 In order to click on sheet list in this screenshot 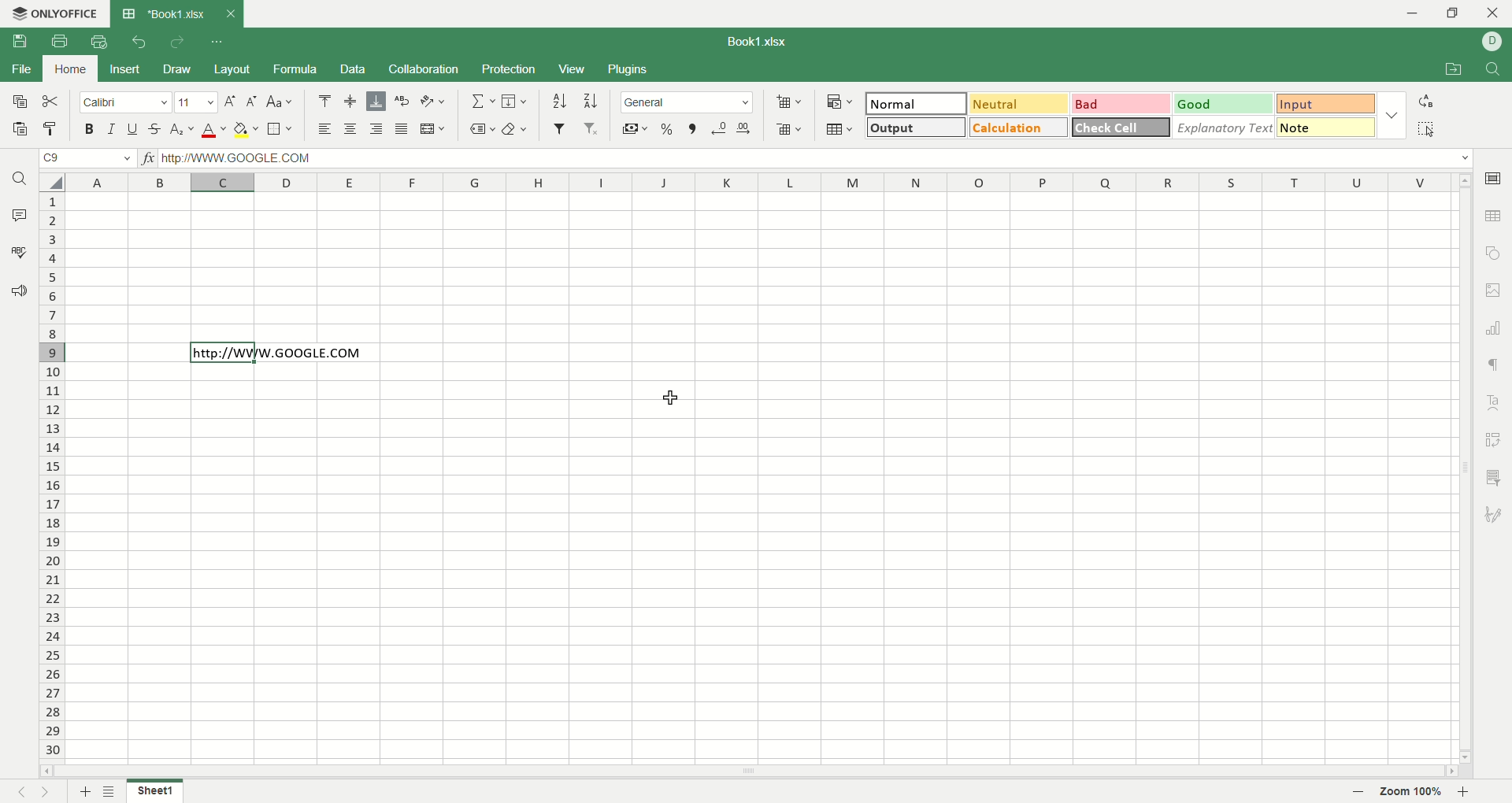, I will do `click(114, 793)`.